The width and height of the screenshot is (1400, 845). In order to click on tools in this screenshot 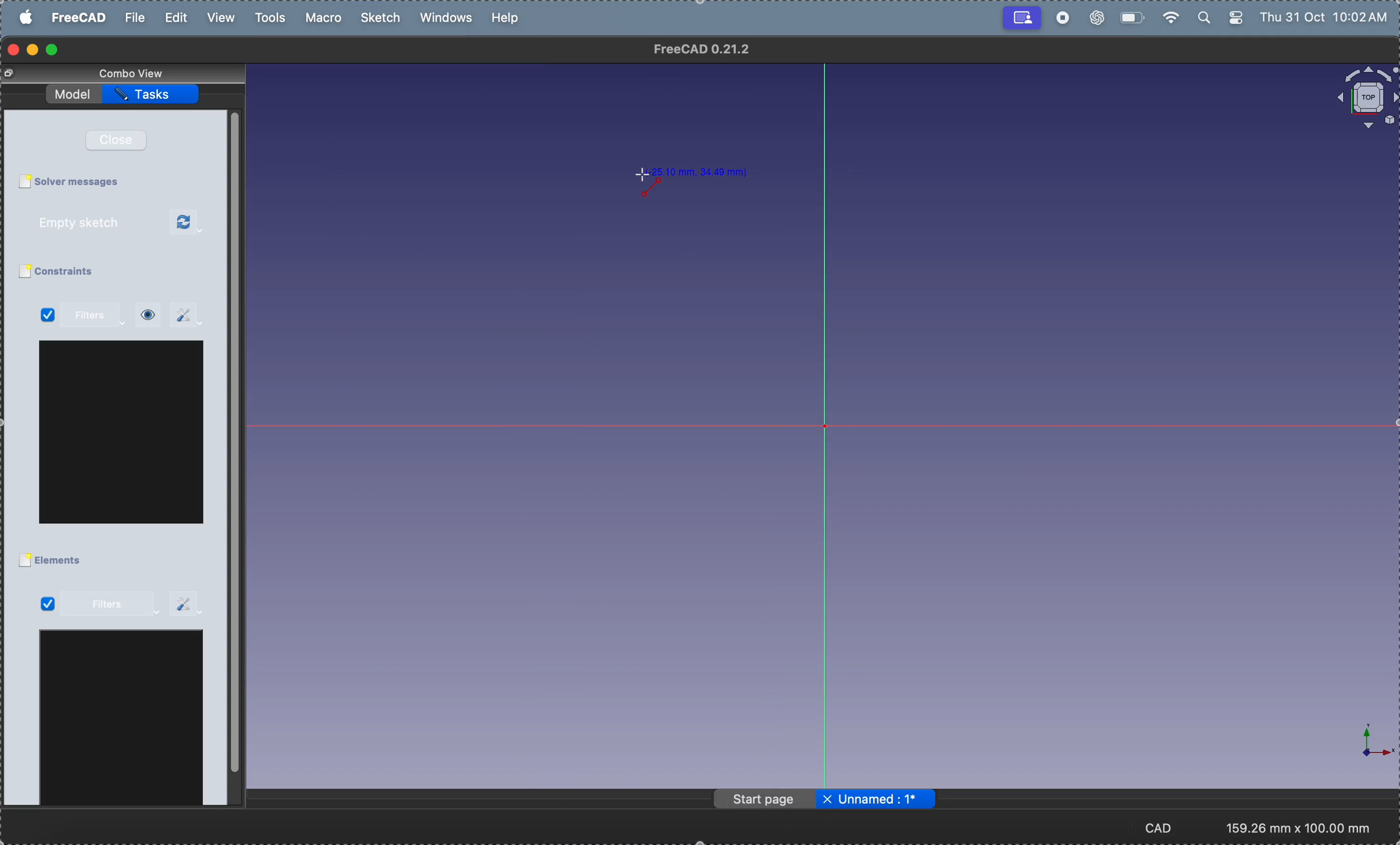, I will do `click(273, 18)`.